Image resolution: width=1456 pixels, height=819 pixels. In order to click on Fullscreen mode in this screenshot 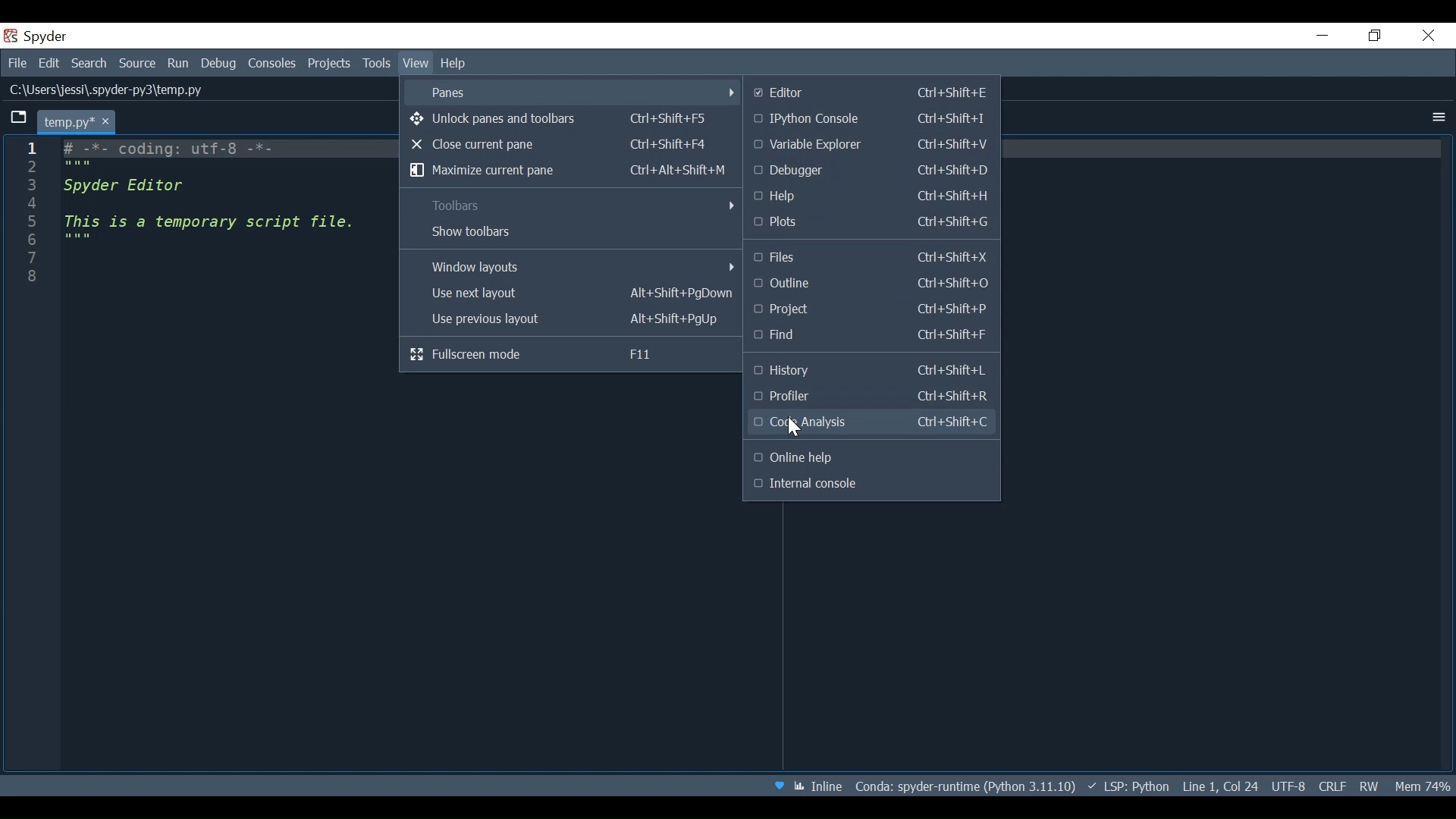, I will do `click(574, 353)`.